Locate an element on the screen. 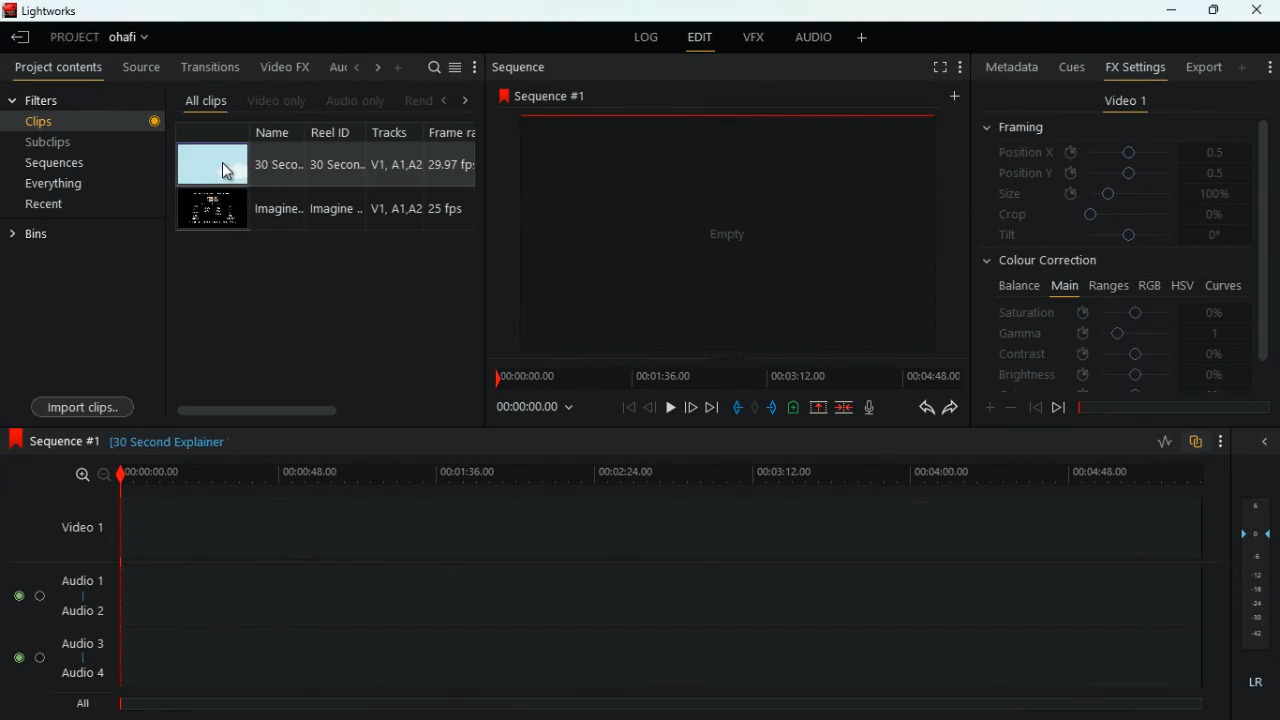 The image size is (1280, 720). cues is located at coordinates (1068, 68).